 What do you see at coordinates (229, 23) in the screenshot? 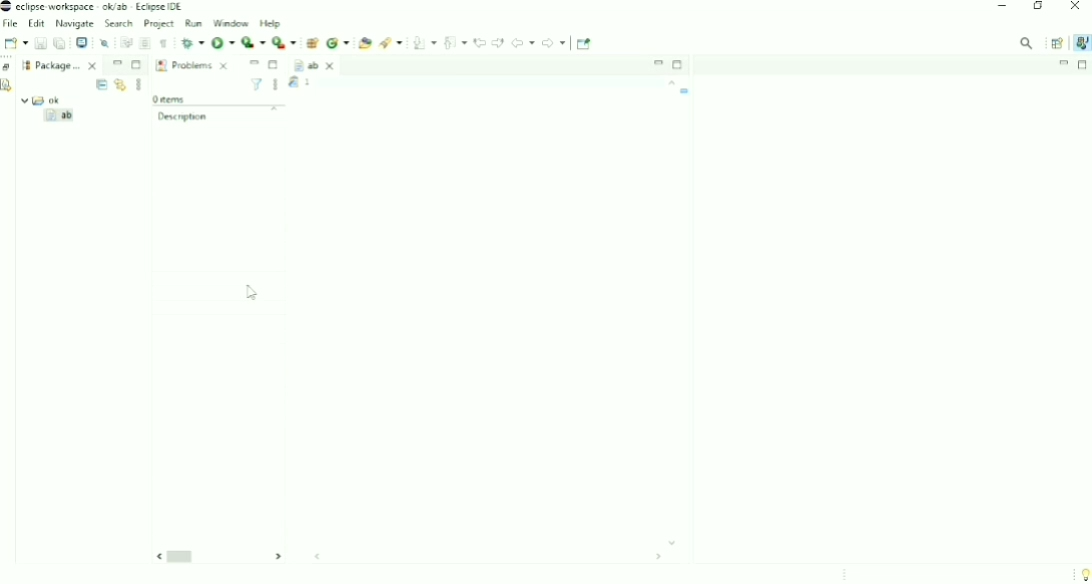
I see `Window` at bounding box center [229, 23].